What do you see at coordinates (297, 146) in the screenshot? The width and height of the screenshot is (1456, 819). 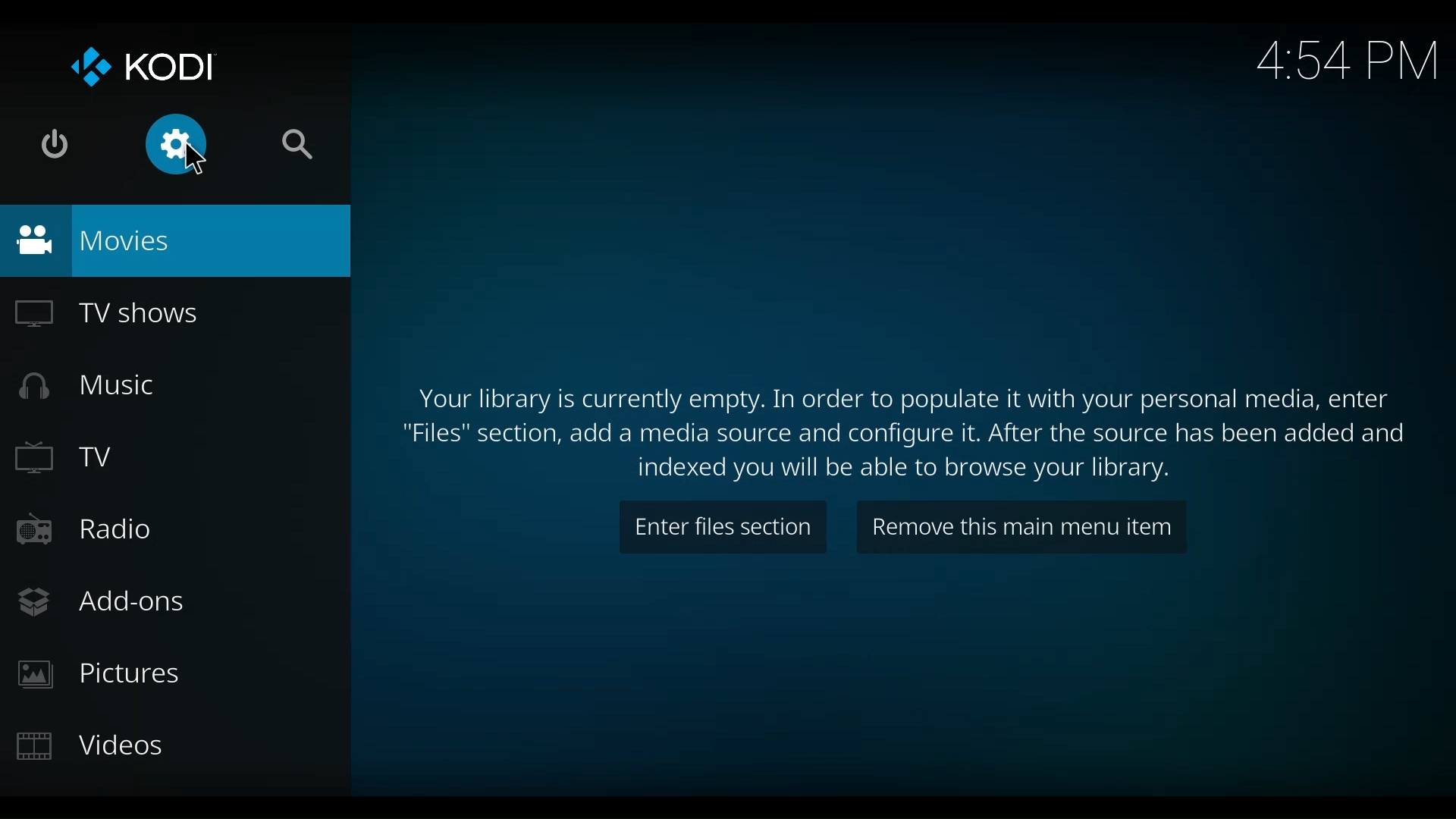 I see `Search` at bounding box center [297, 146].